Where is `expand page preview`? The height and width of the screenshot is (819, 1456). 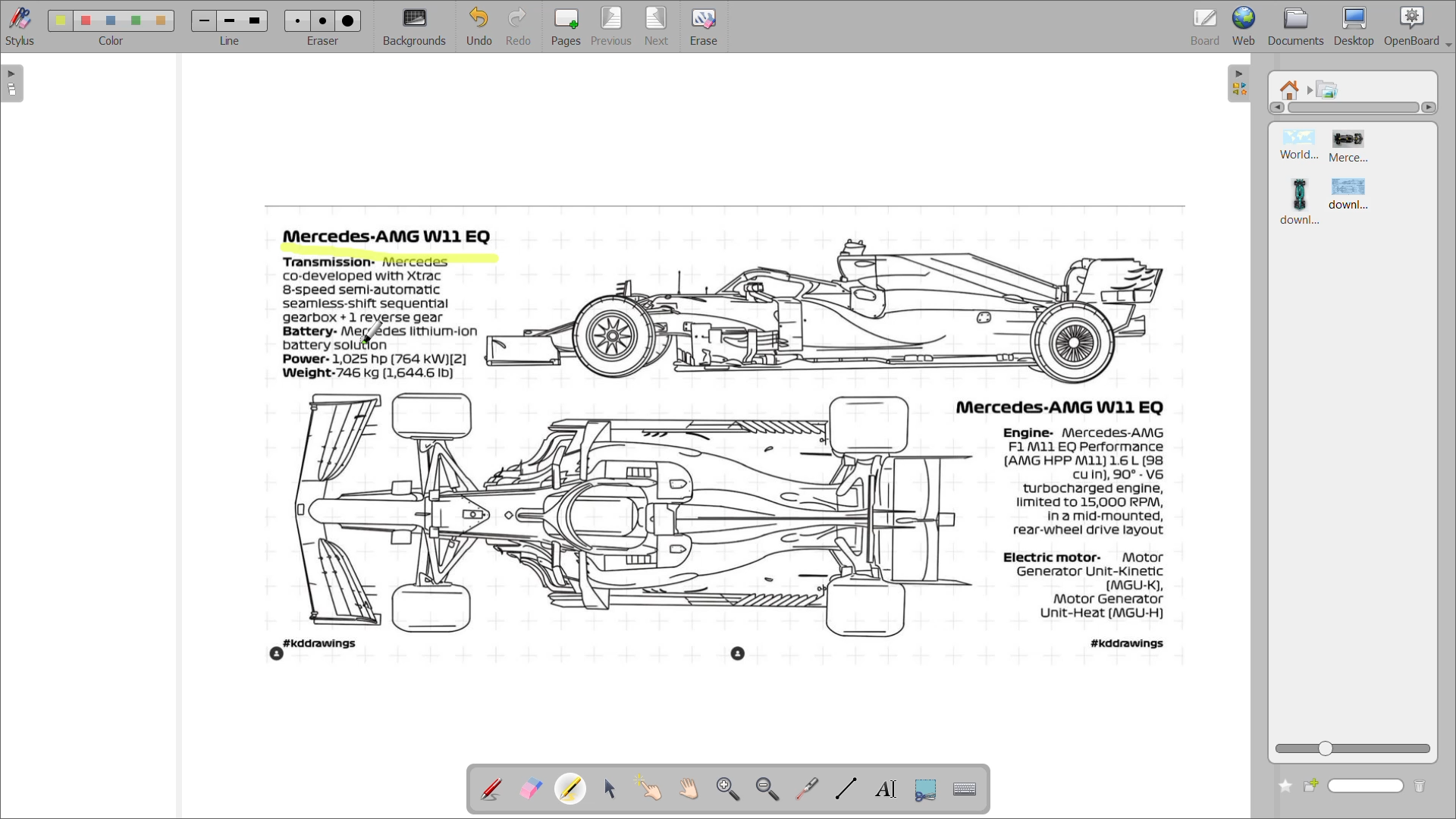 expand page preview is located at coordinates (13, 83).